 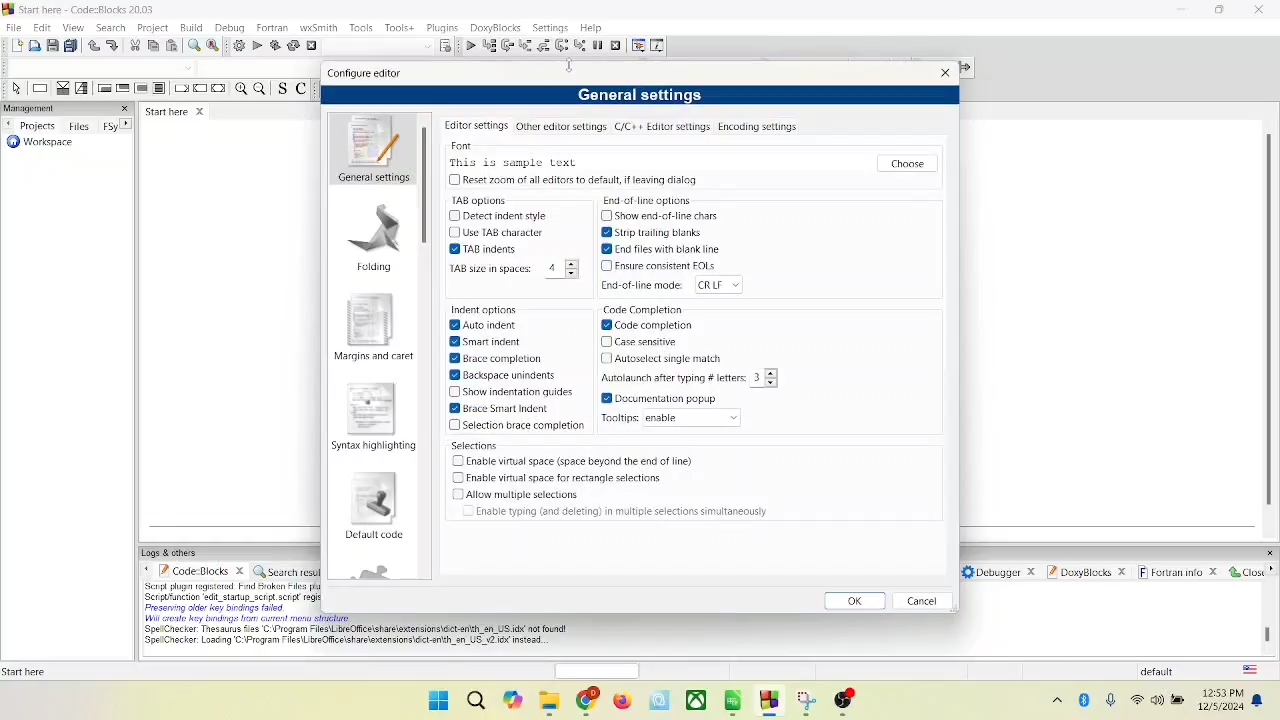 What do you see at coordinates (94, 46) in the screenshot?
I see `undo` at bounding box center [94, 46].